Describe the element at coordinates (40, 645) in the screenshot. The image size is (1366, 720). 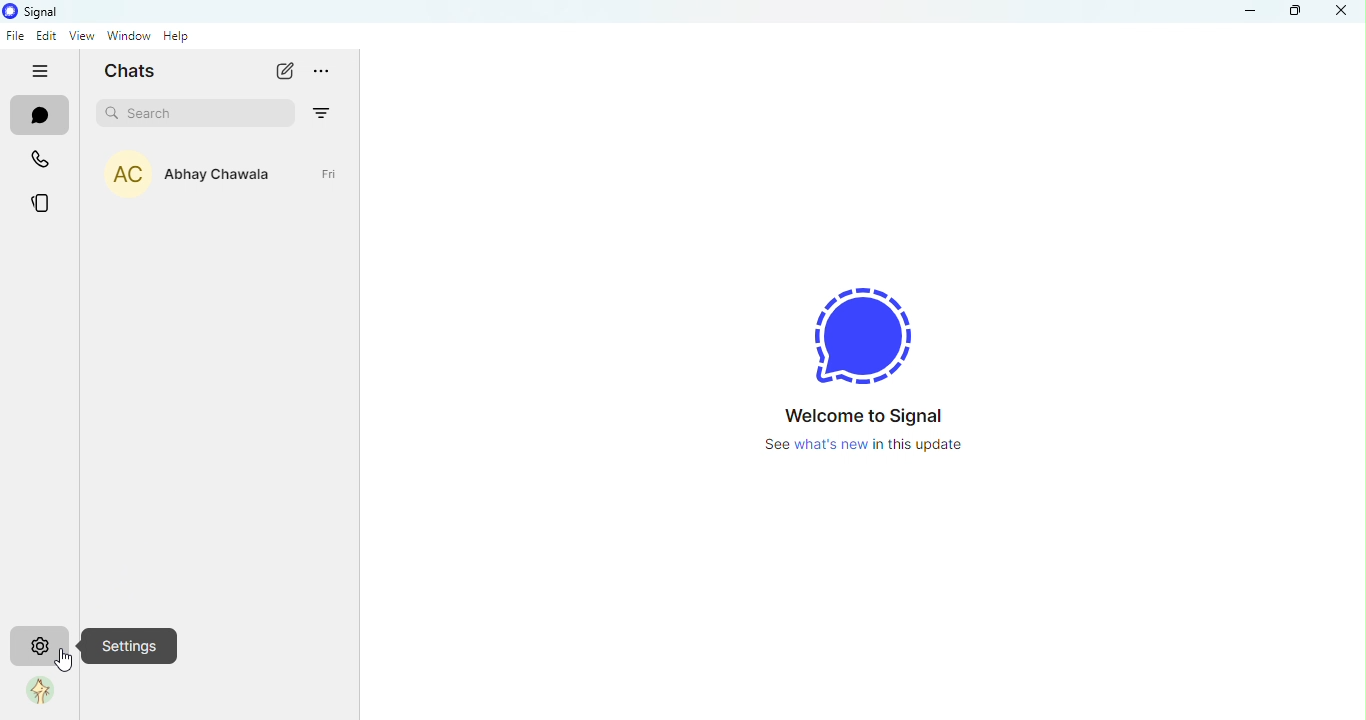
I see `settings` at that location.